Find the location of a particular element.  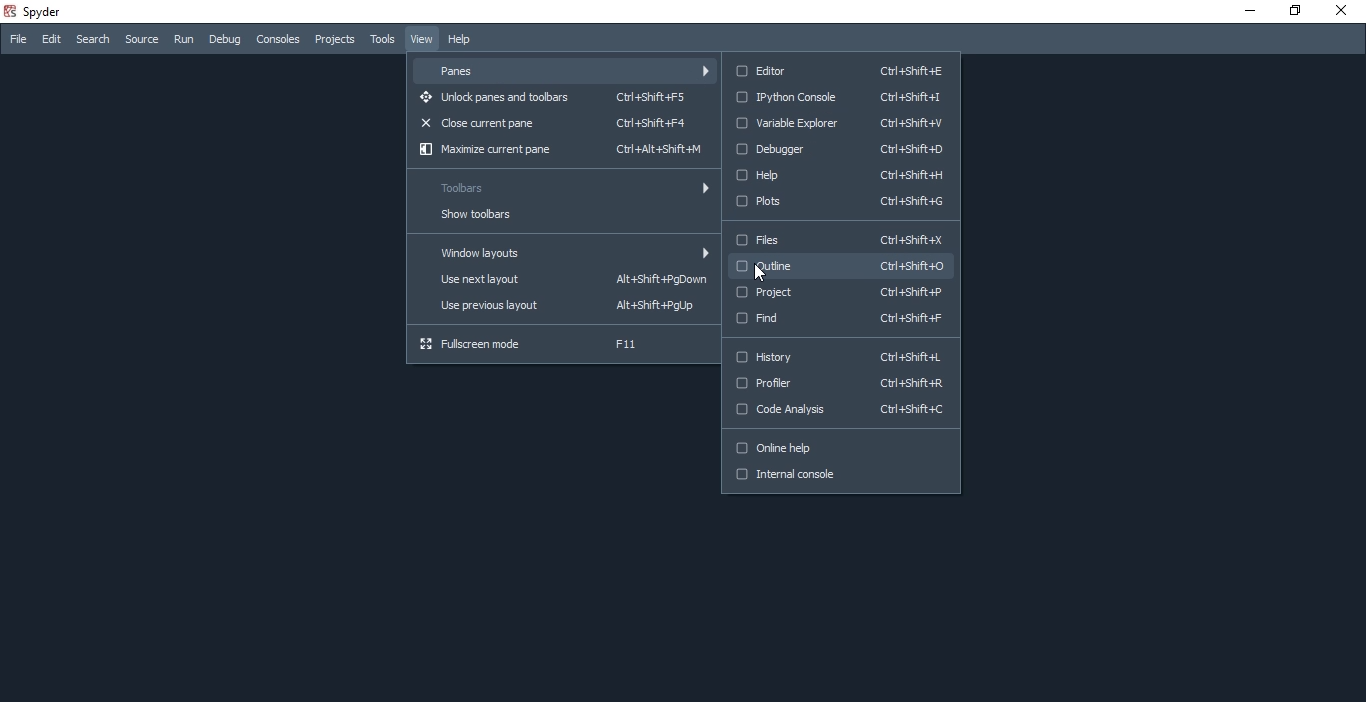

minimise is located at coordinates (1246, 14).